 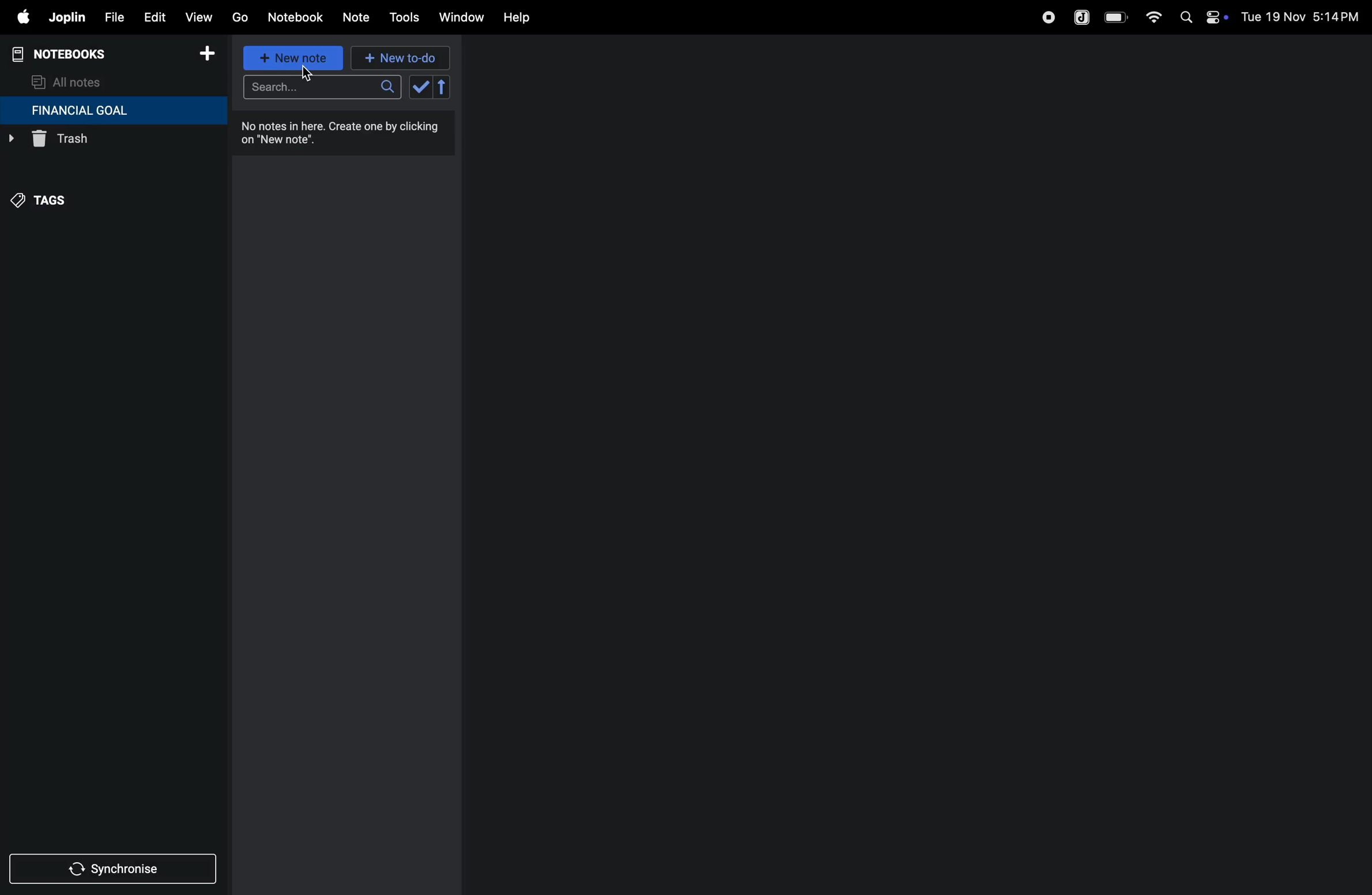 What do you see at coordinates (295, 58) in the screenshot?
I see `new note` at bounding box center [295, 58].